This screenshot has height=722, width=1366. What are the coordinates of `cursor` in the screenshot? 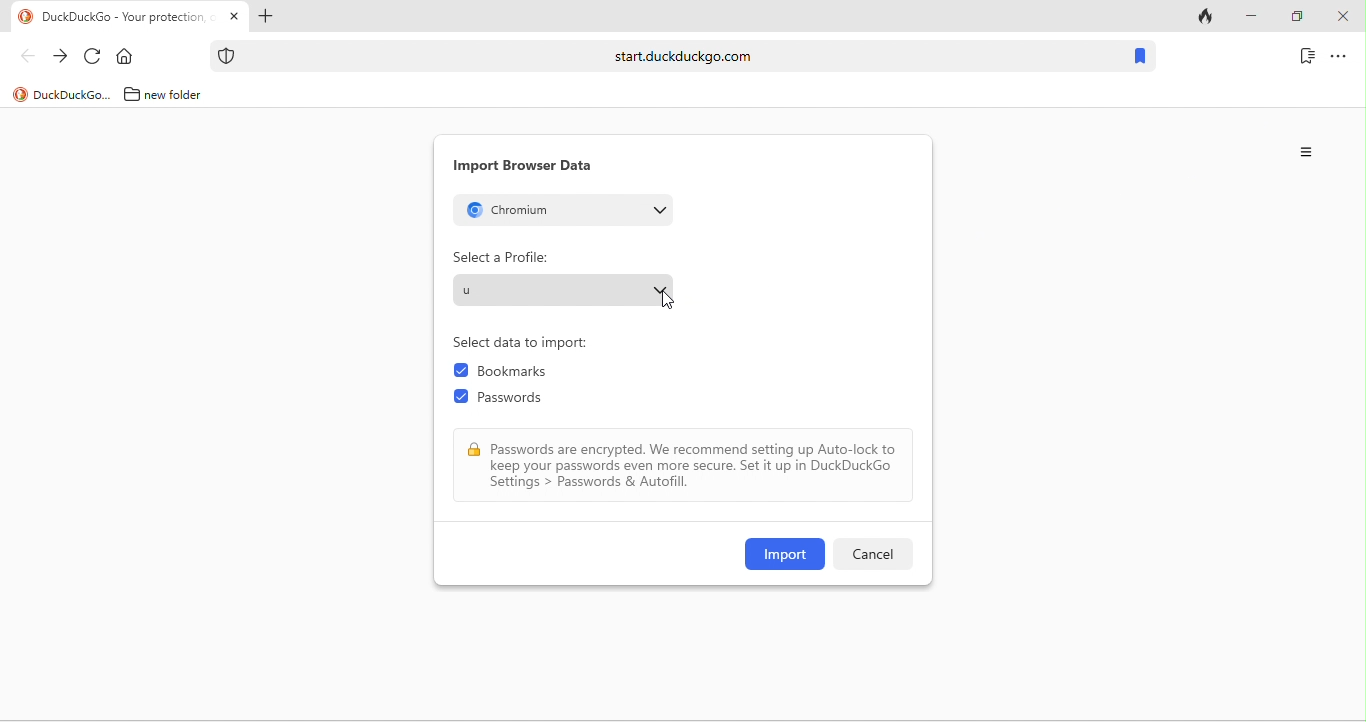 It's located at (670, 303).